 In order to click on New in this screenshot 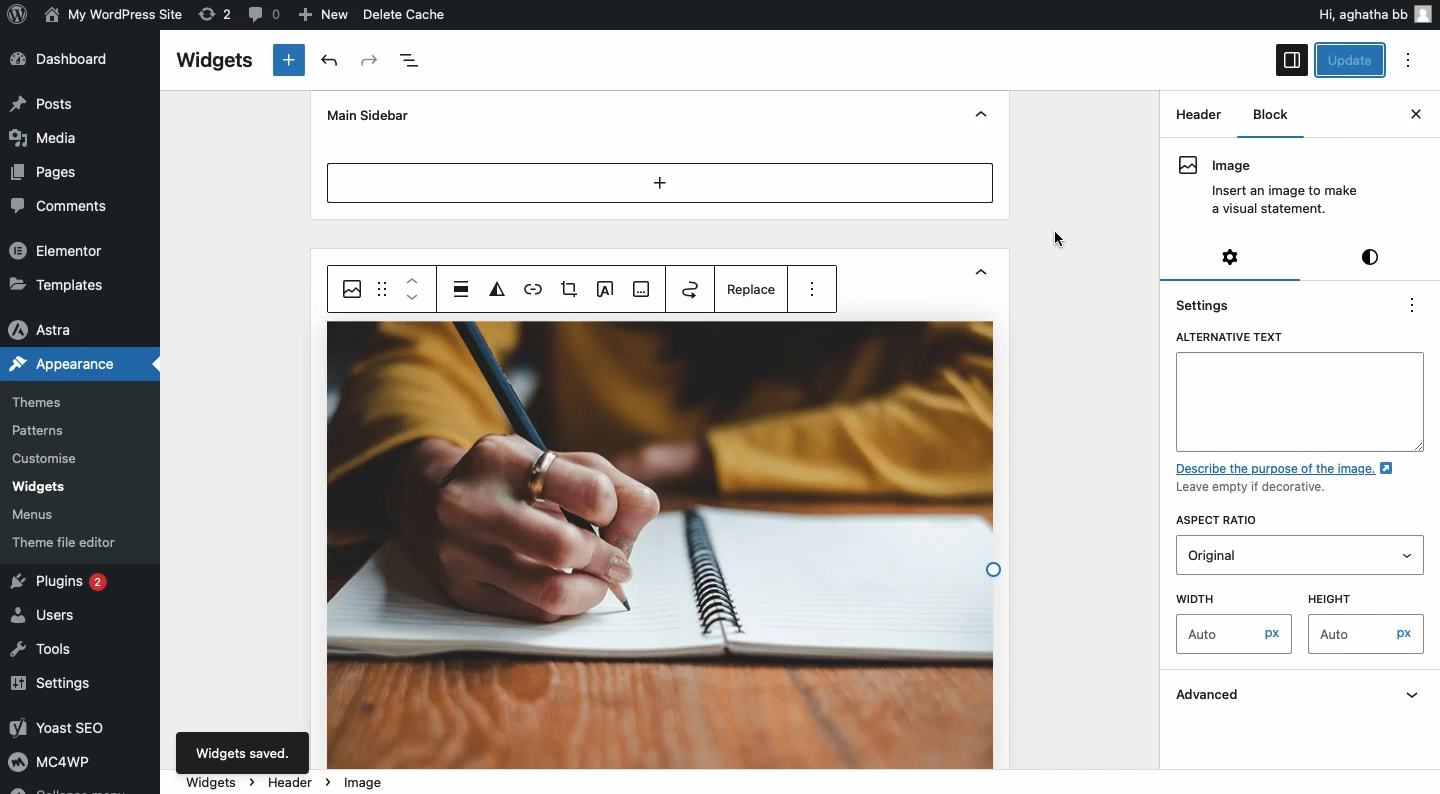, I will do `click(326, 15)`.